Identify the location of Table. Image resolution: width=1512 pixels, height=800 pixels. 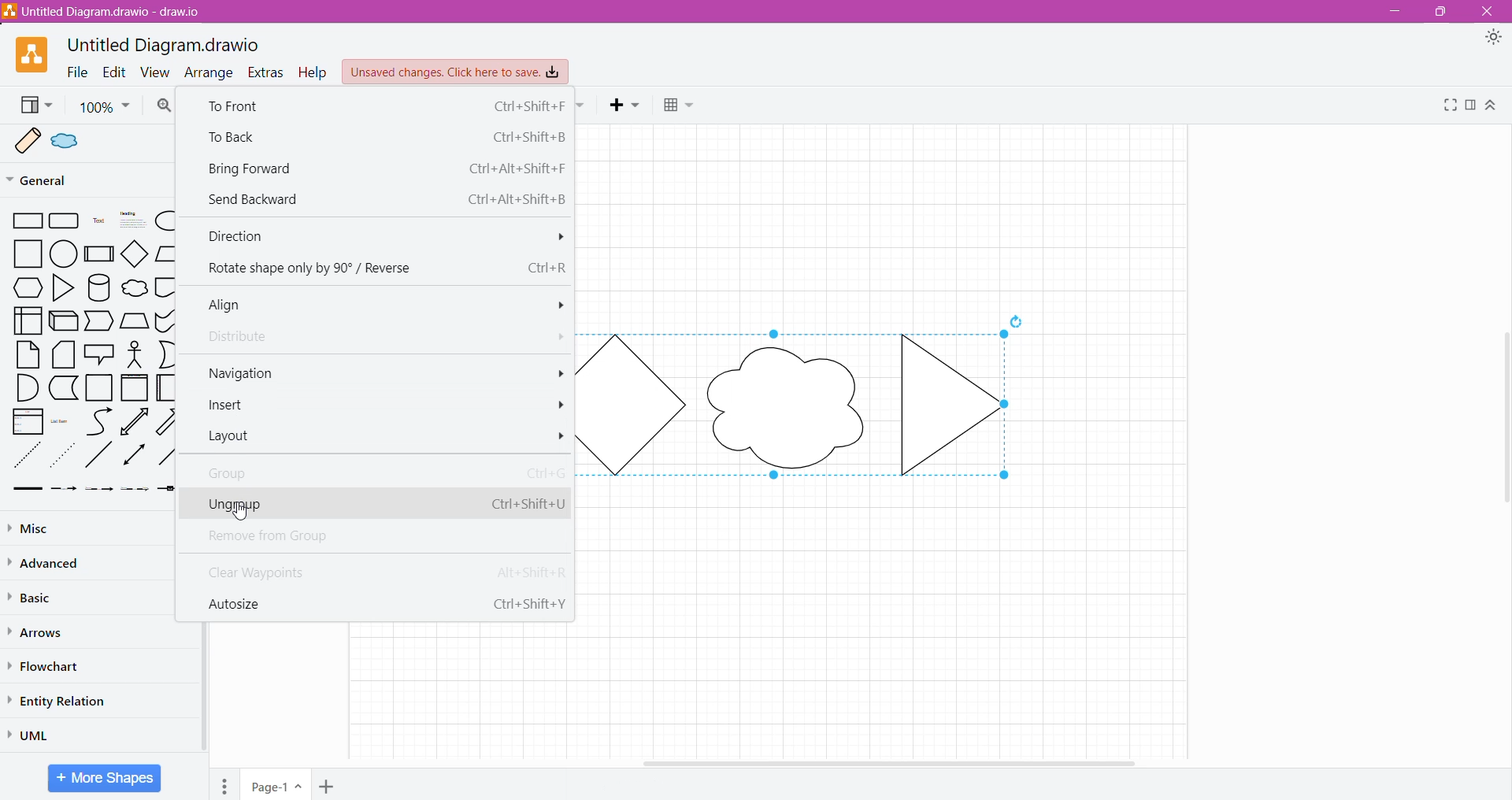
(681, 106).